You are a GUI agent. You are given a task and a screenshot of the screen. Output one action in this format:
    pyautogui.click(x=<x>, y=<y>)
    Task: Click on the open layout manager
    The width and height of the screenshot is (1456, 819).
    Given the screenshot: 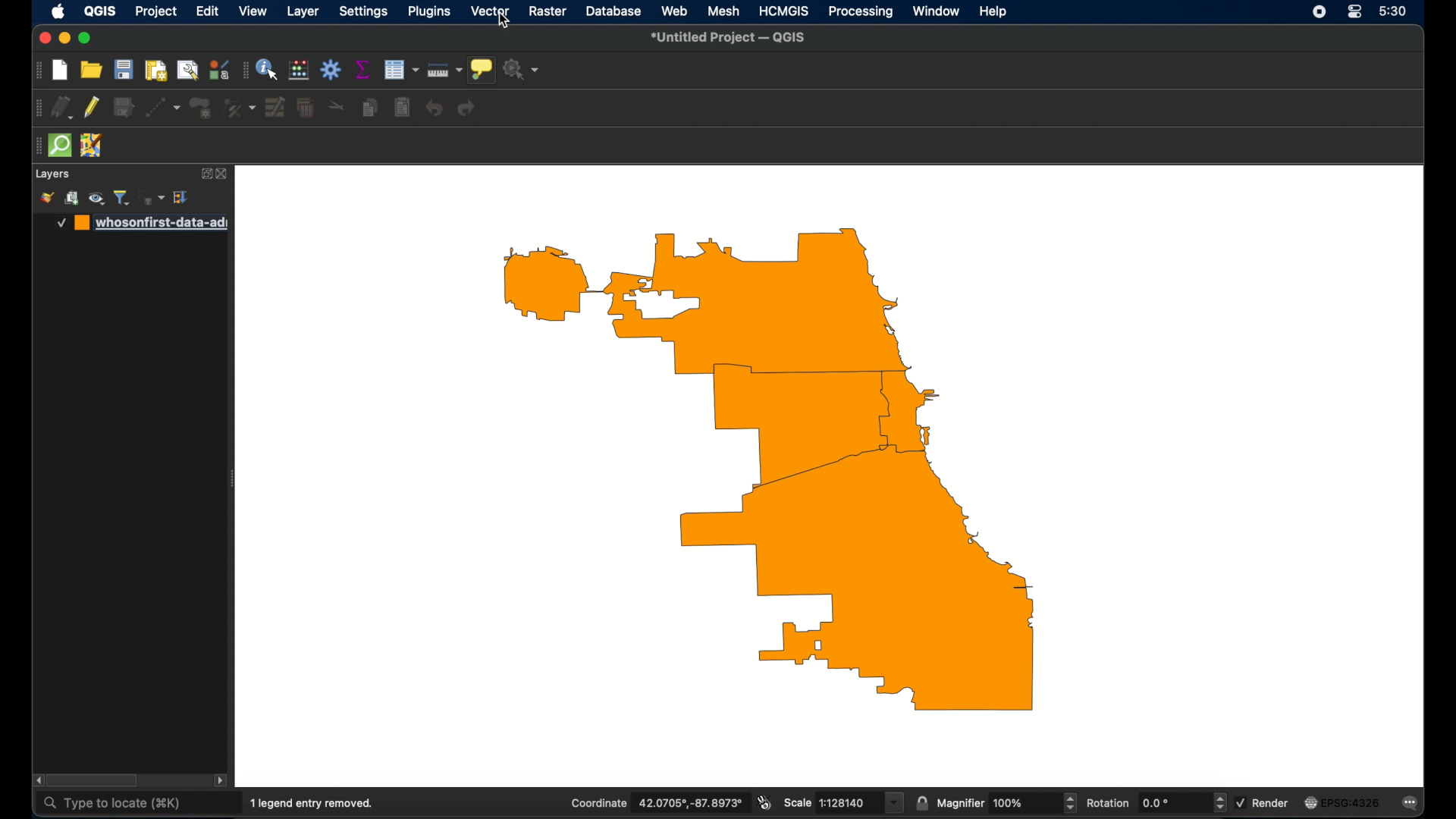 What is the action you would take?
    pyautogui.click(x=188, y=69)
    